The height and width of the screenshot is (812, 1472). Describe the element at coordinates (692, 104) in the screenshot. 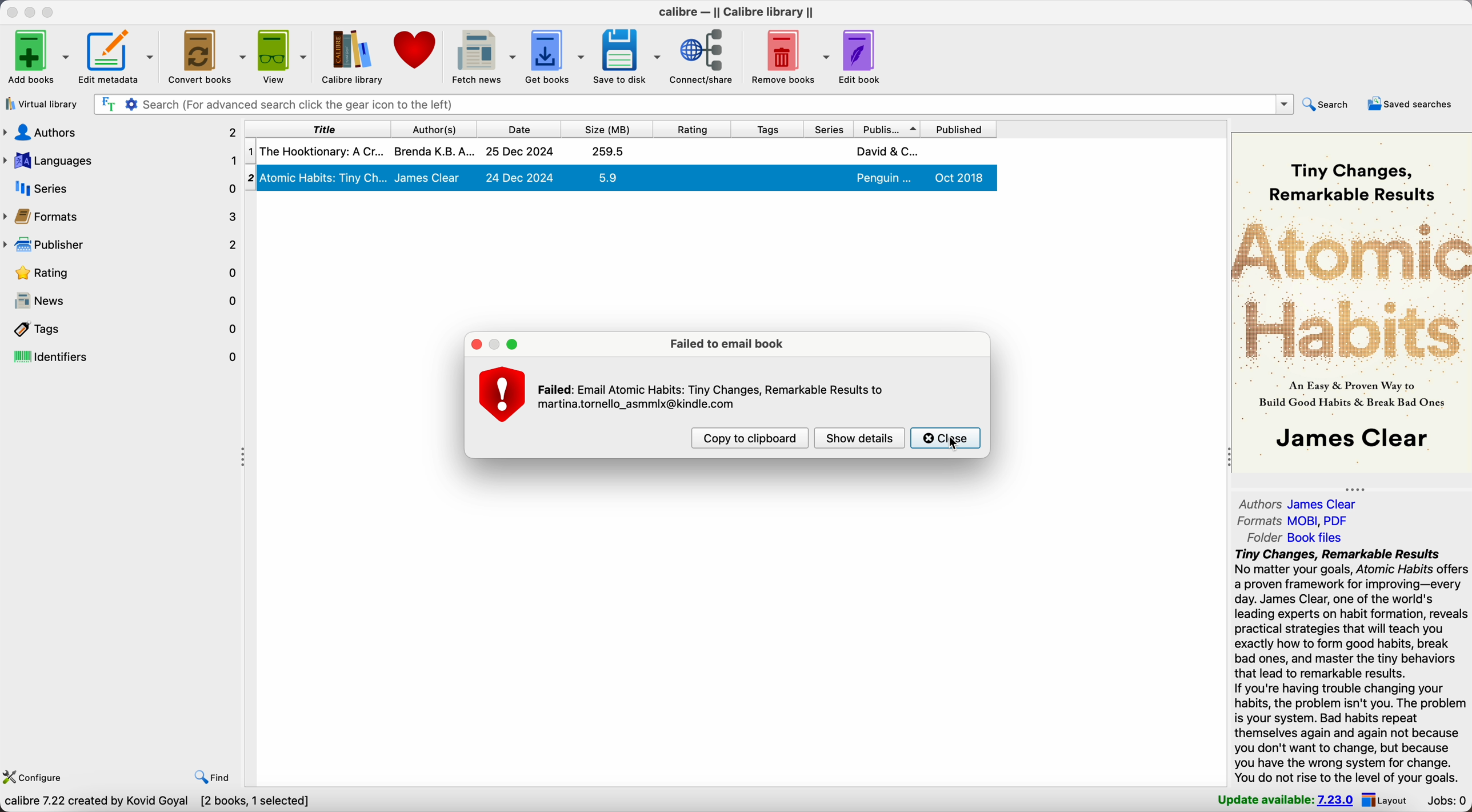

I see `search bar` at that location.